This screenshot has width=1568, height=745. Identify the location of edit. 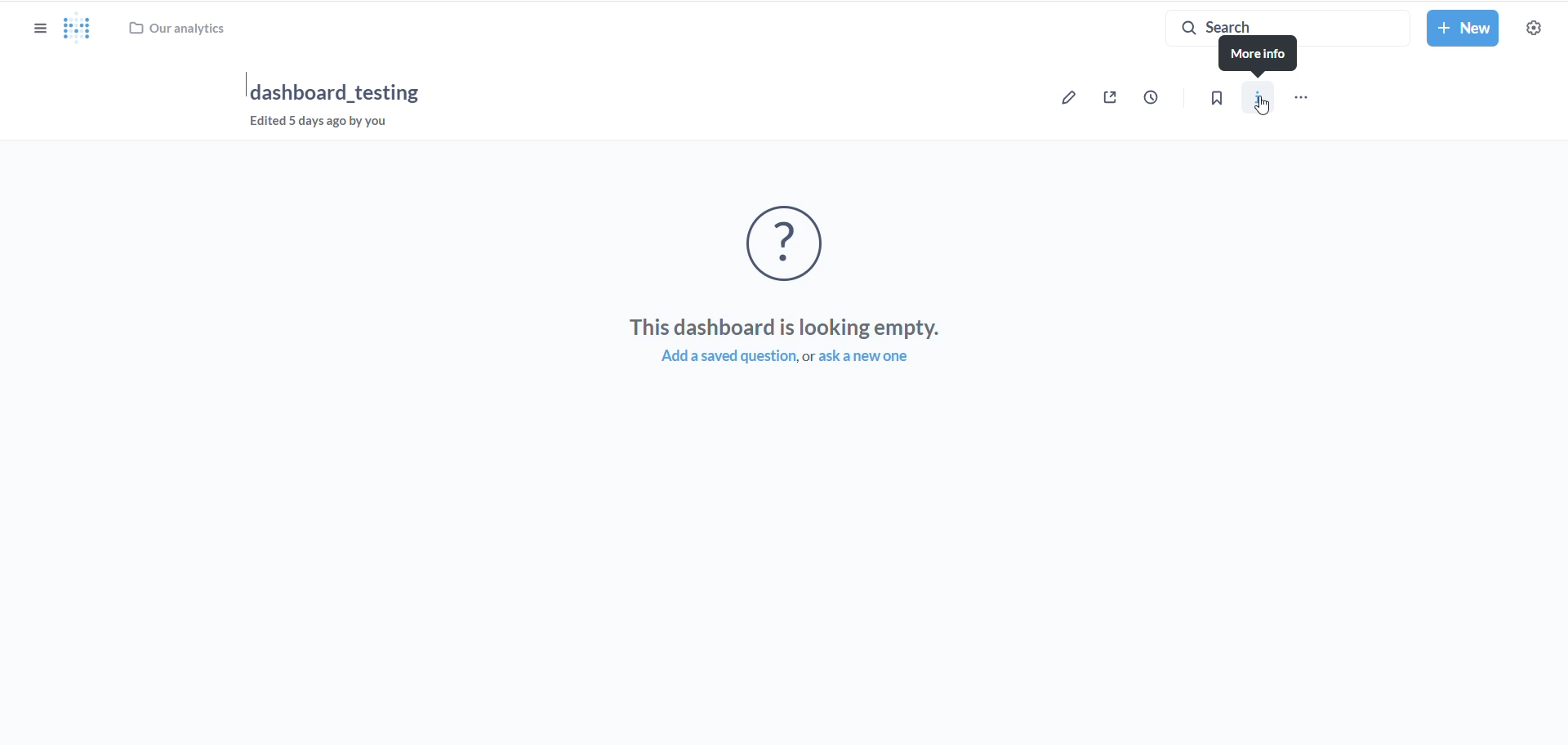
(1066, 100).